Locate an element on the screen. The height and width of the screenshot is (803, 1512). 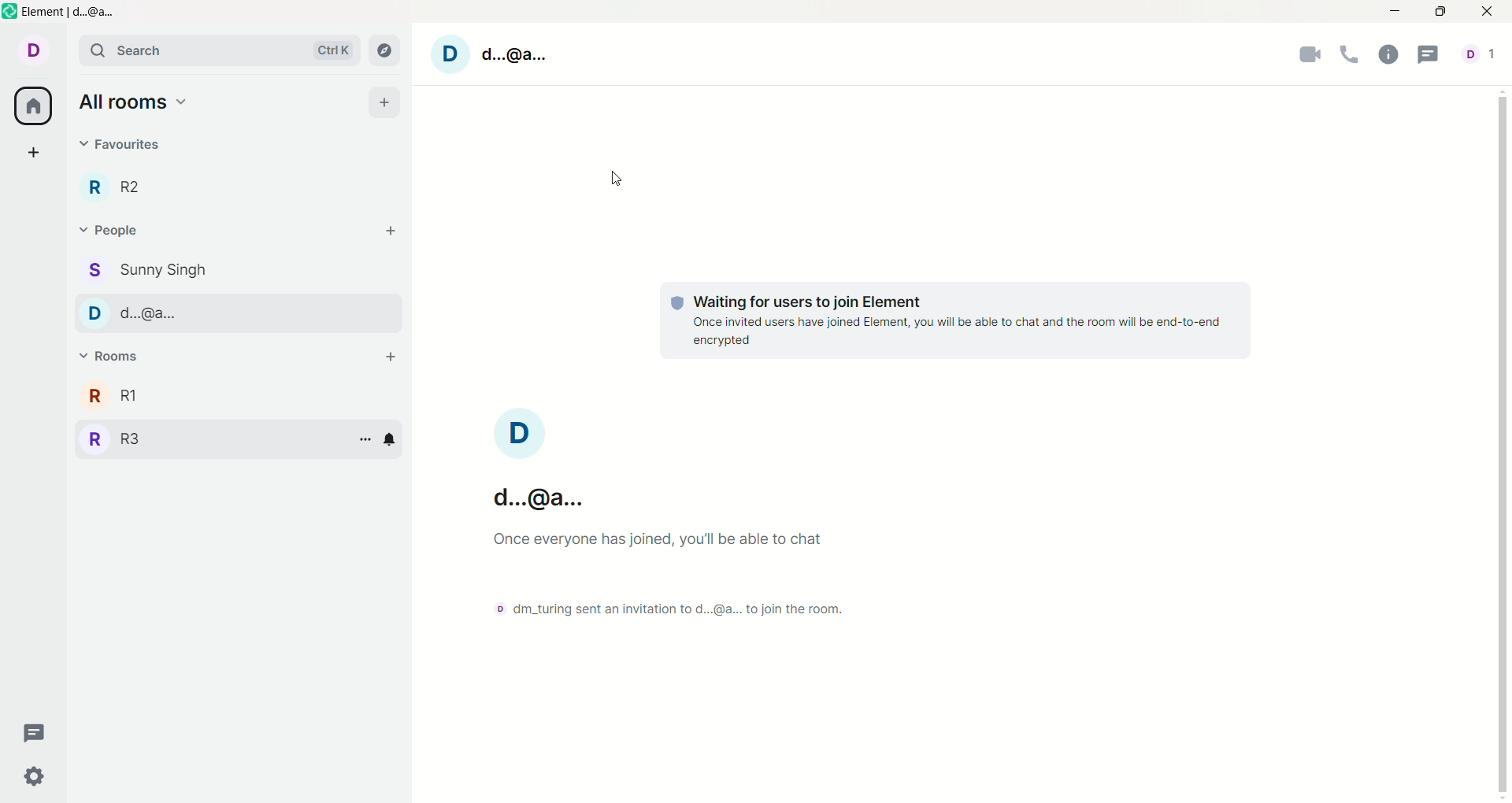
Element | d...@a... is located at coordinates (71, 12).